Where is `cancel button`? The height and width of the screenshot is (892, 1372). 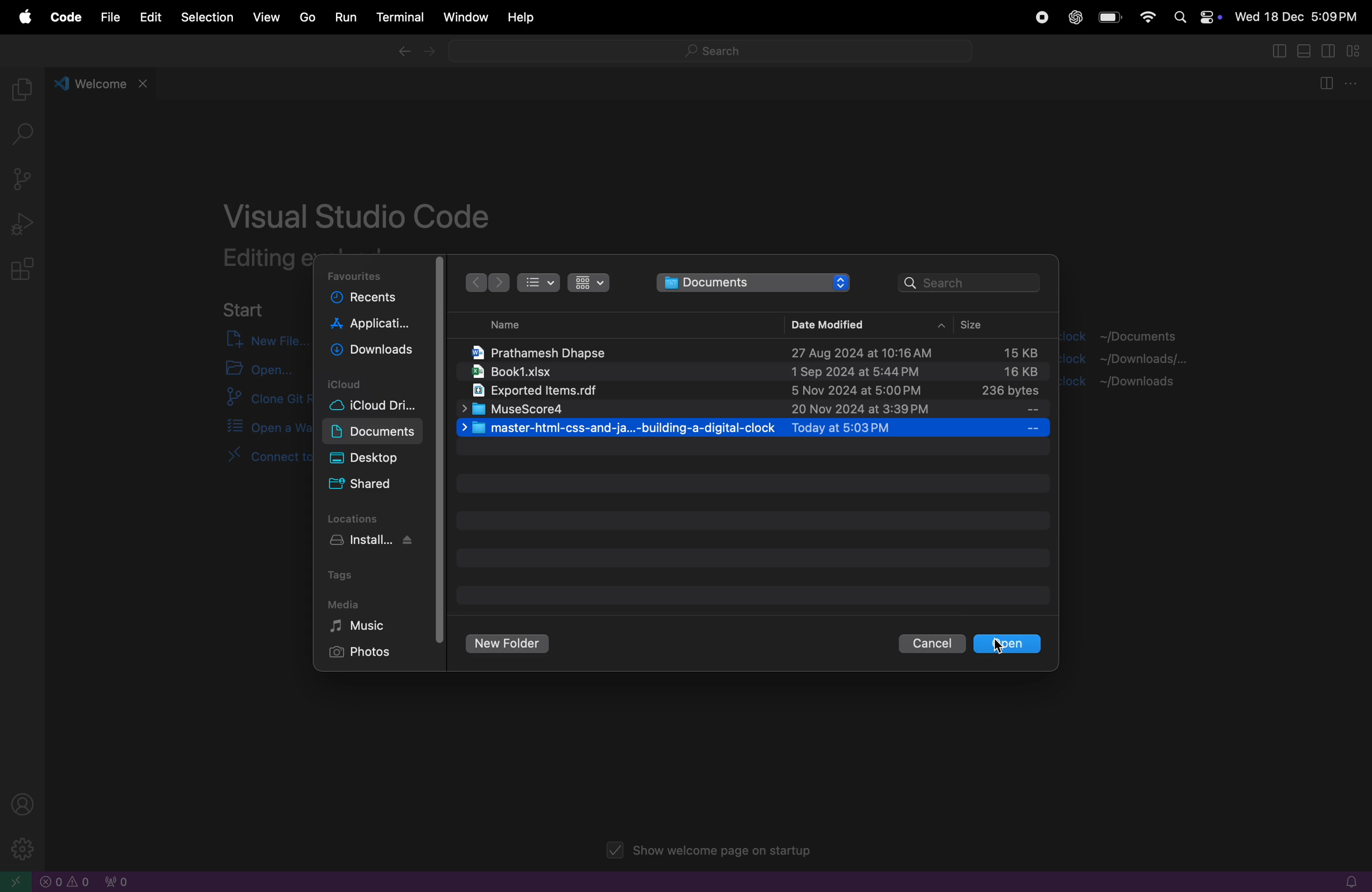
cancel button is located at coordinates (930, 644).